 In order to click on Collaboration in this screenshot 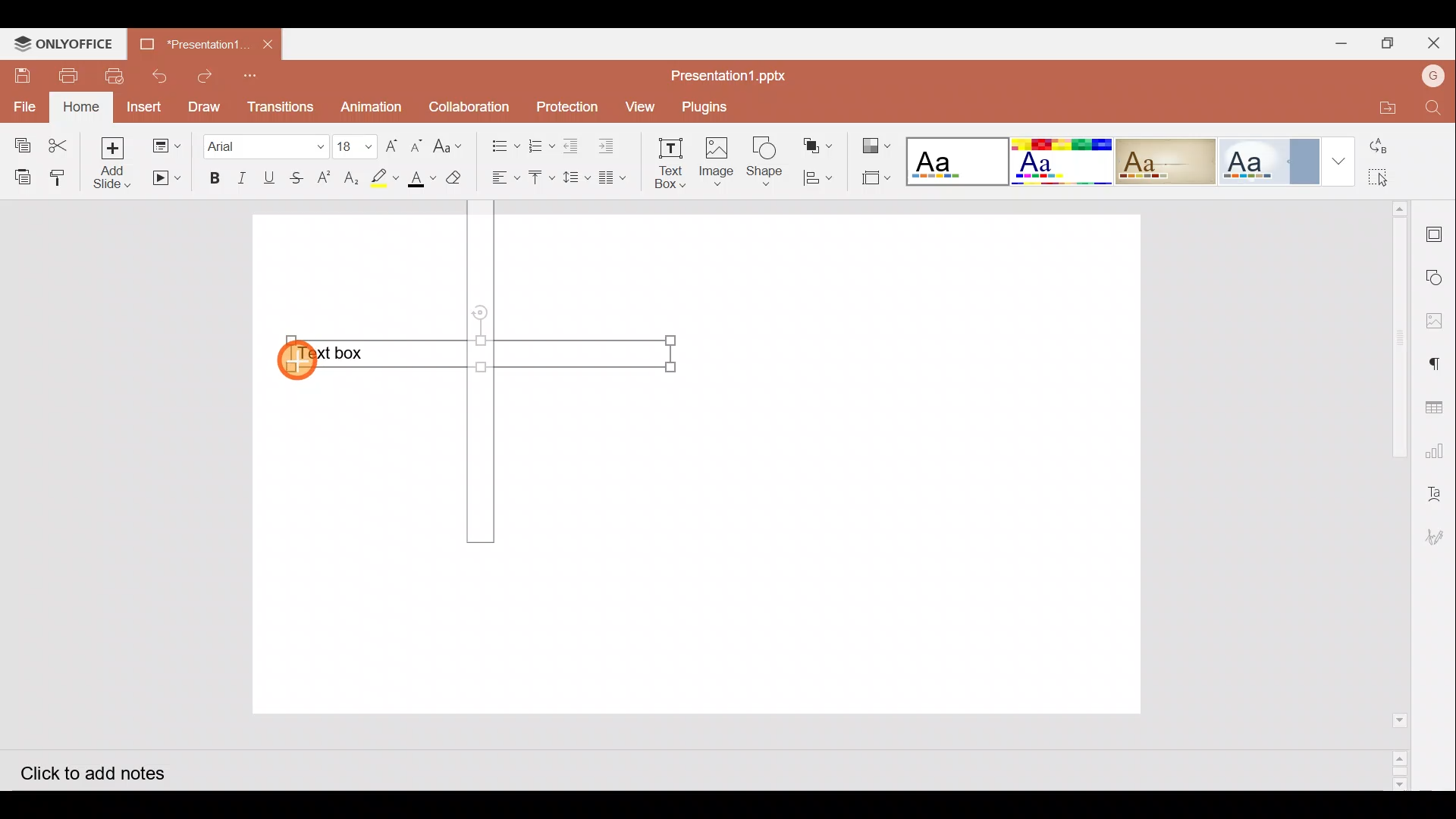, I will do `click(470, 105)`.